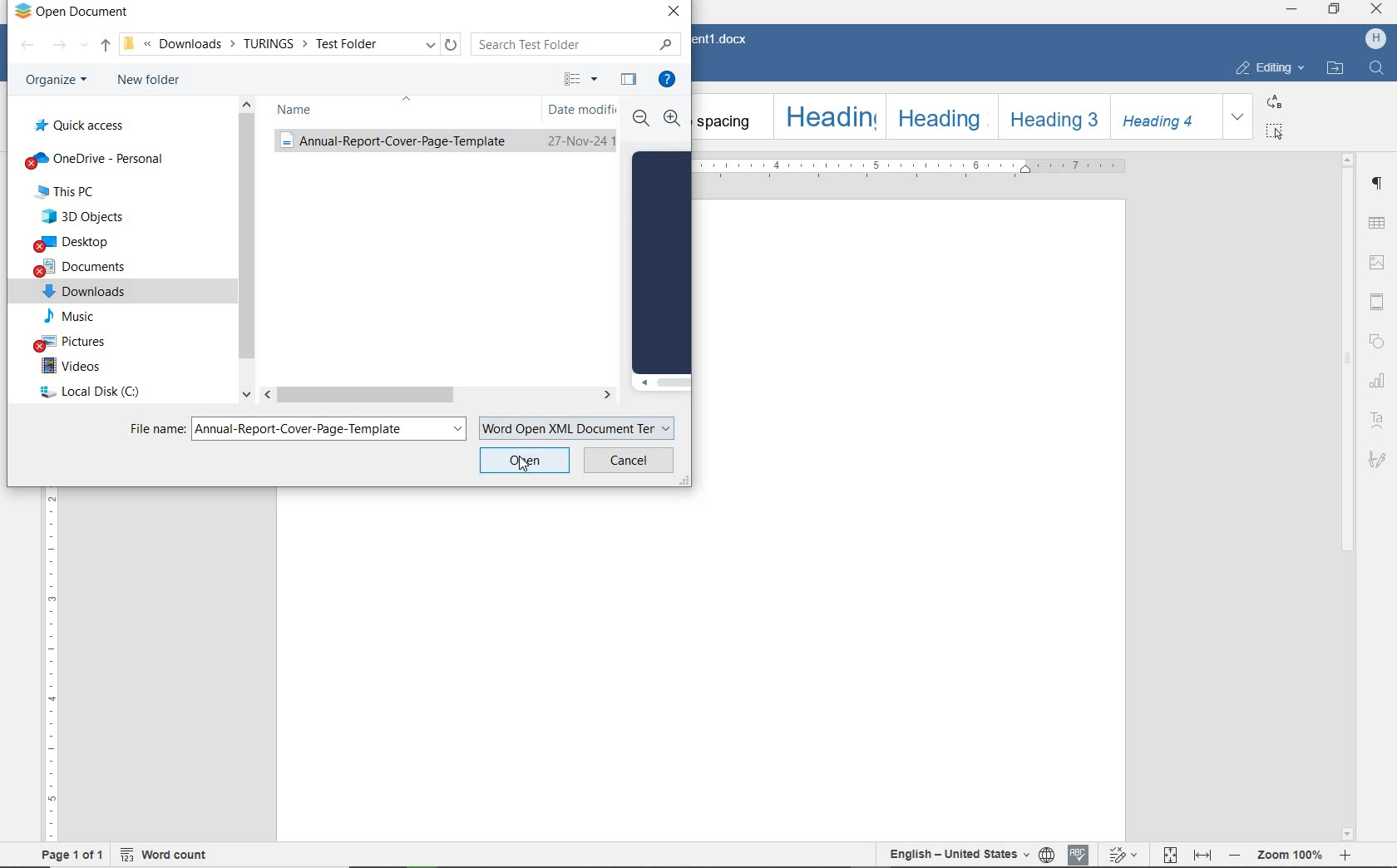  What do you see at coordinates (86, 293) in the screenshot?
I see `downloads` at bounding box center [86, 293].